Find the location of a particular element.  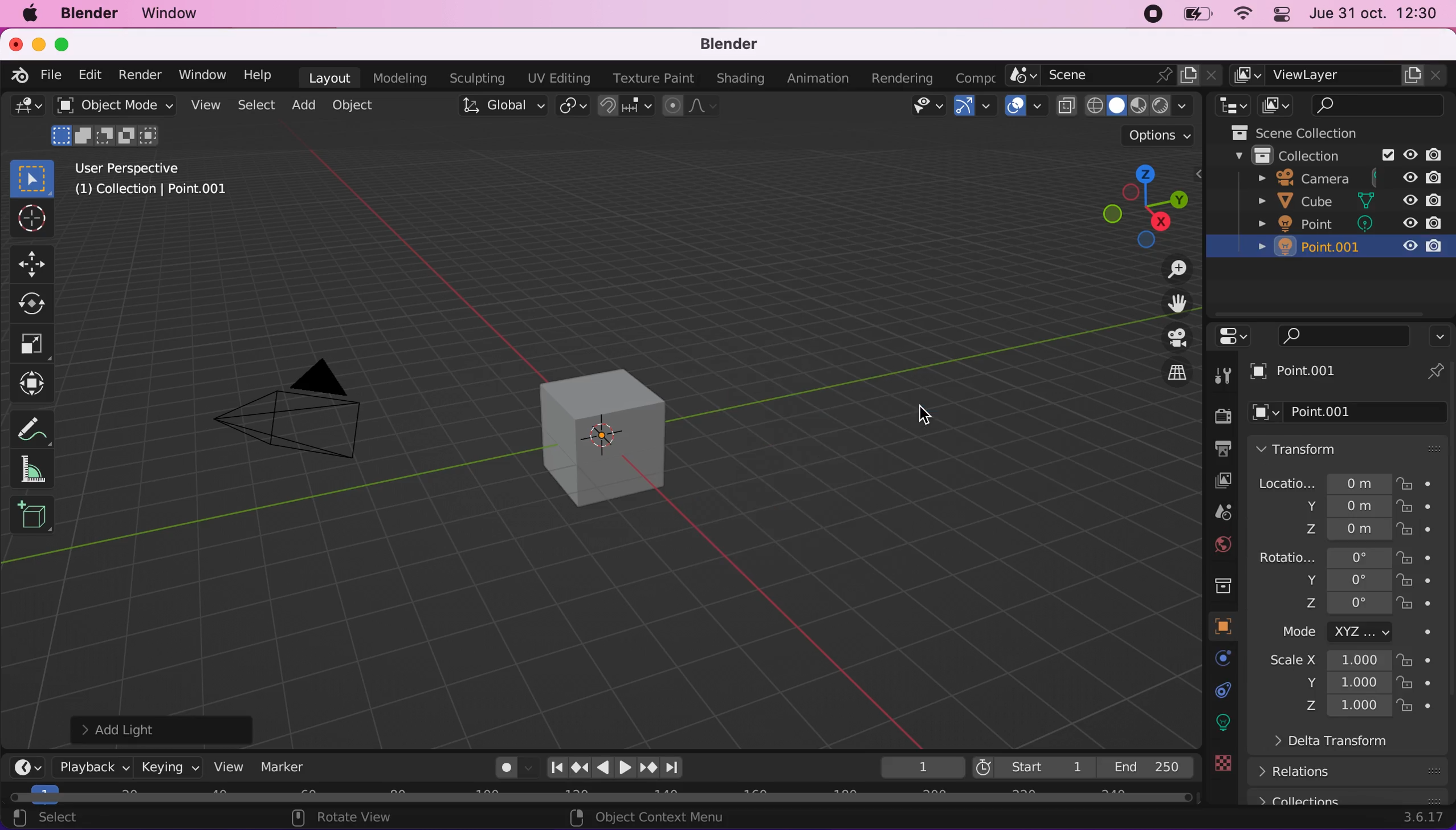

lock is located at coordinates (1419, 581).